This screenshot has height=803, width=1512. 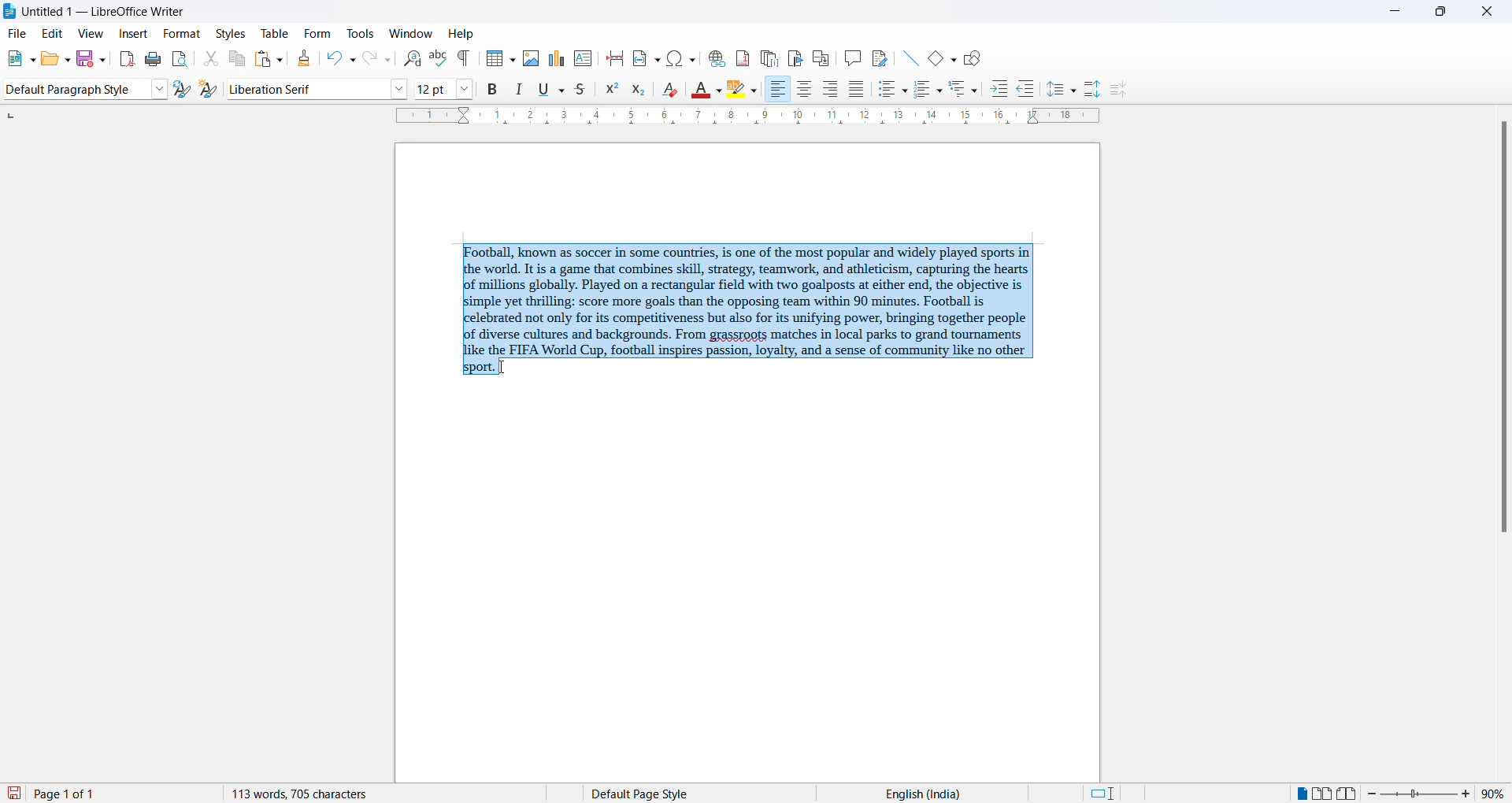 What do you see at coordinates (561, 90) in the screenshot?
I see `underline options` at bounding box center [561, 90].